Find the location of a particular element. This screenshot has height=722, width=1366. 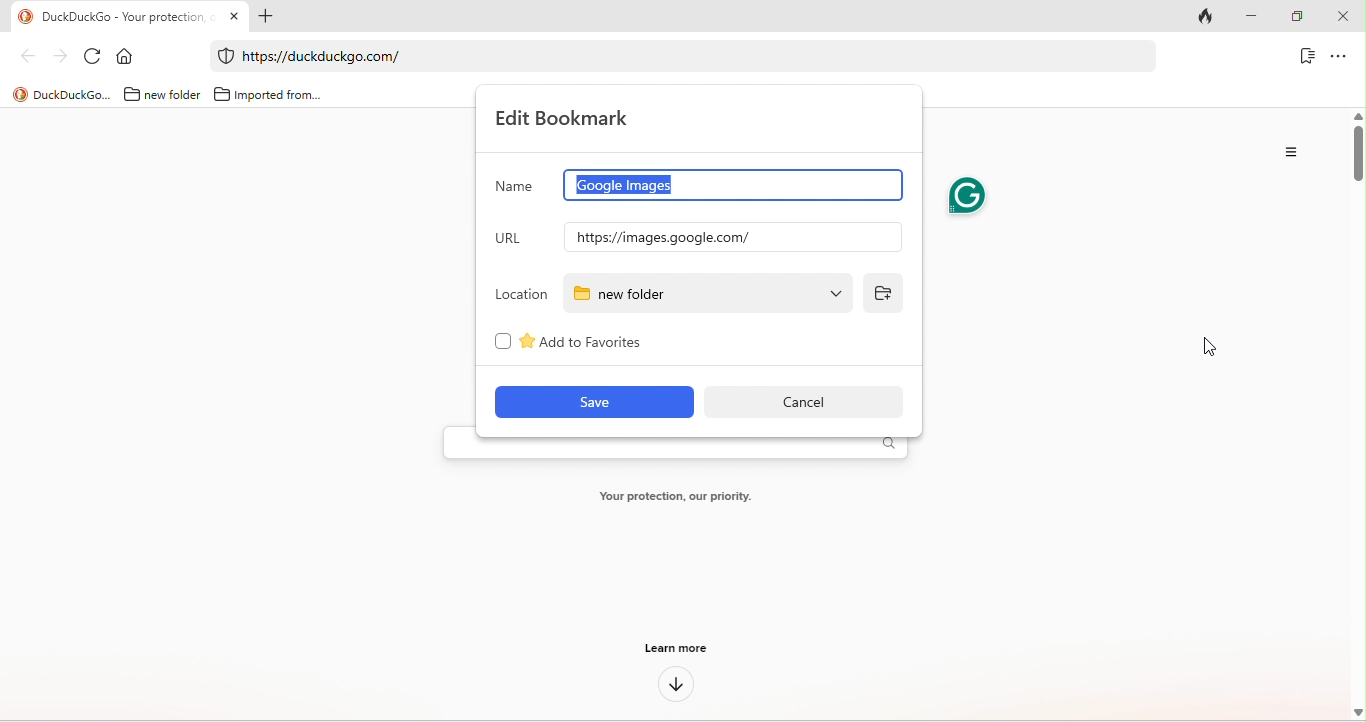

grammarly is located at coordinates (969, 200).